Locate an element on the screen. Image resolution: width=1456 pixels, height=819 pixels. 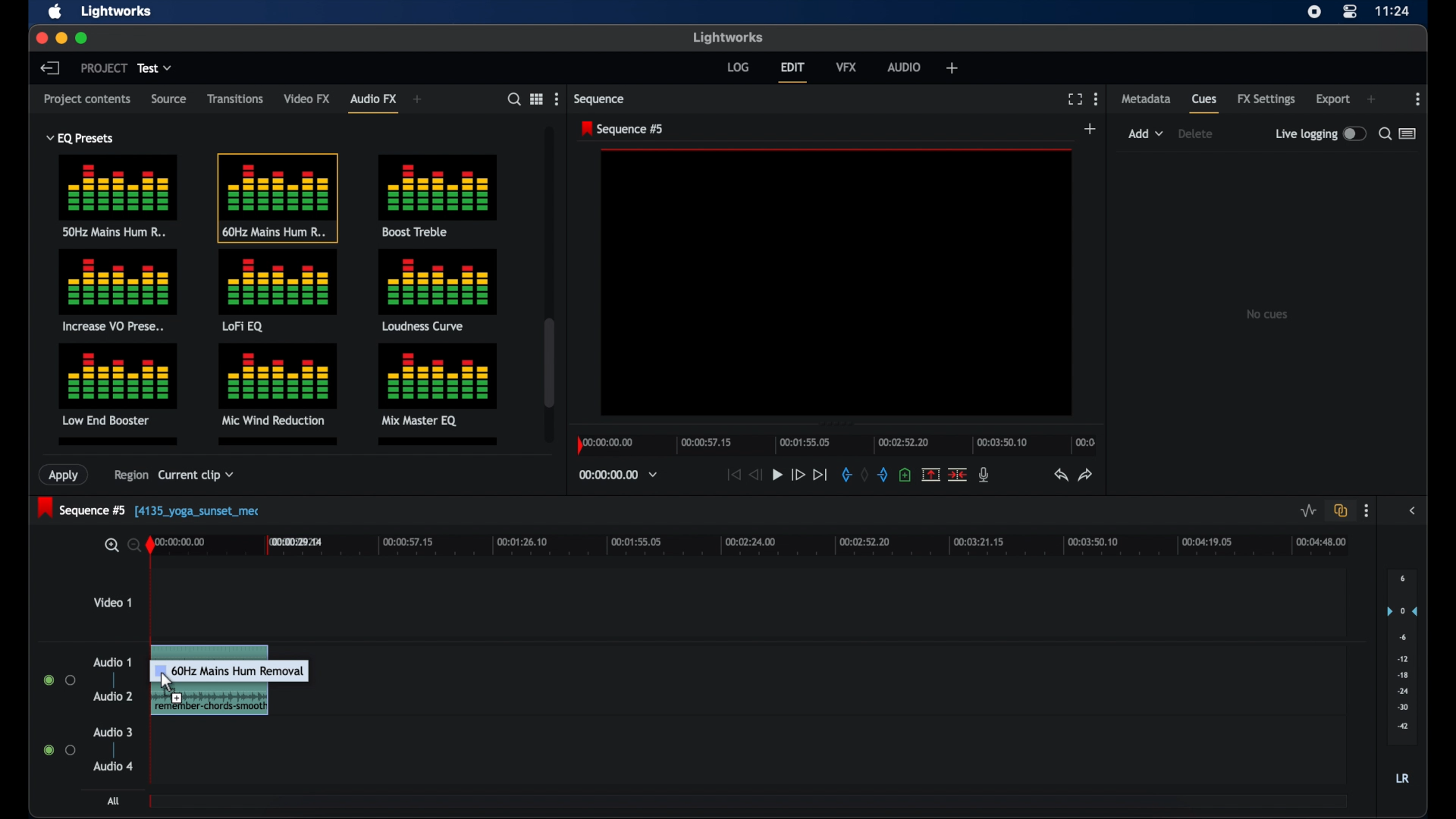
redo is located at coordinates (1086, 475).